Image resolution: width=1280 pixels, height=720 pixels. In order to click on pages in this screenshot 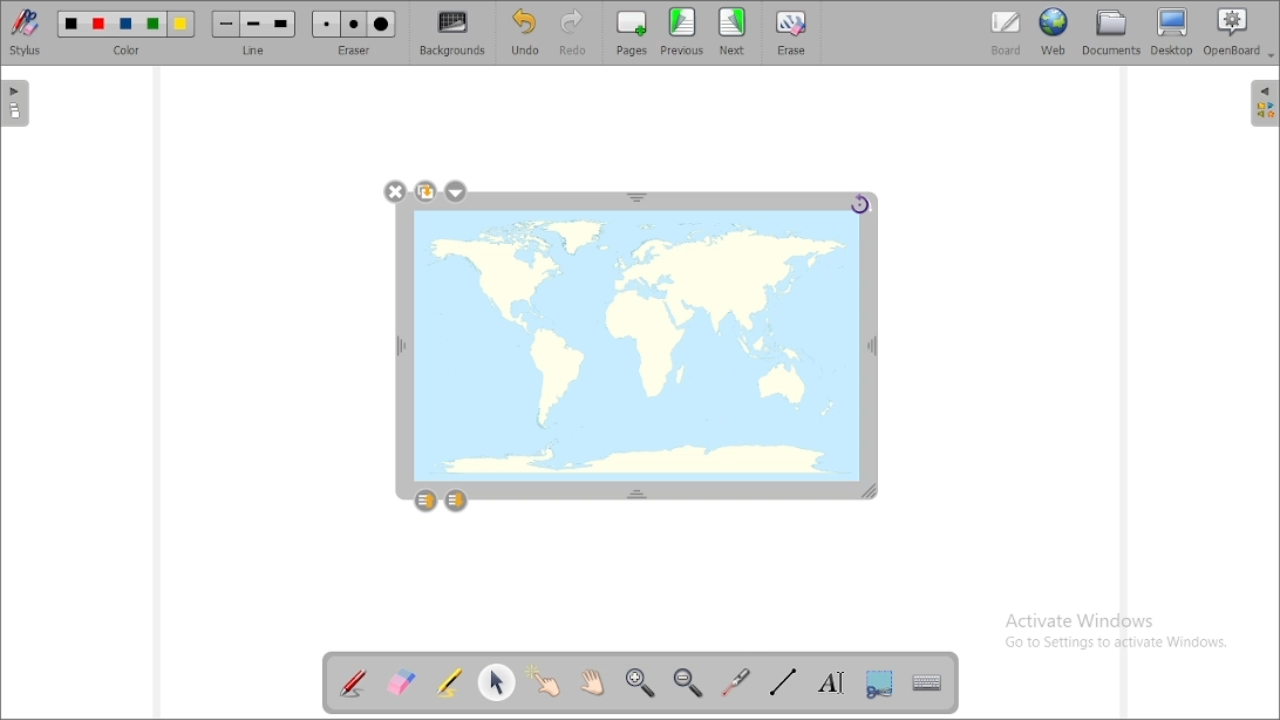, I will do `click(632, 33)`.